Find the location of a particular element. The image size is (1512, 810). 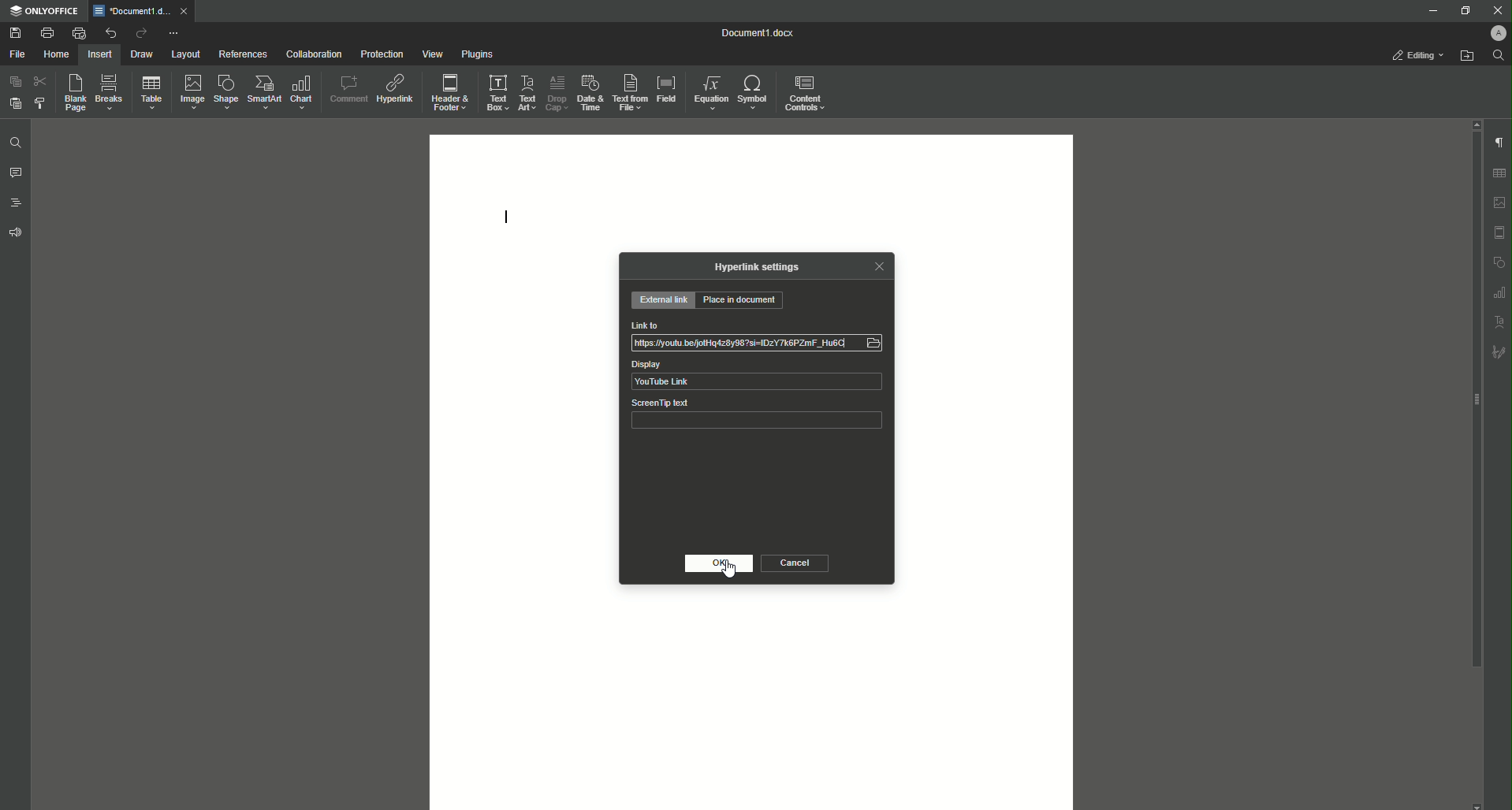

graph settings is located at coordinates (1501, 292).